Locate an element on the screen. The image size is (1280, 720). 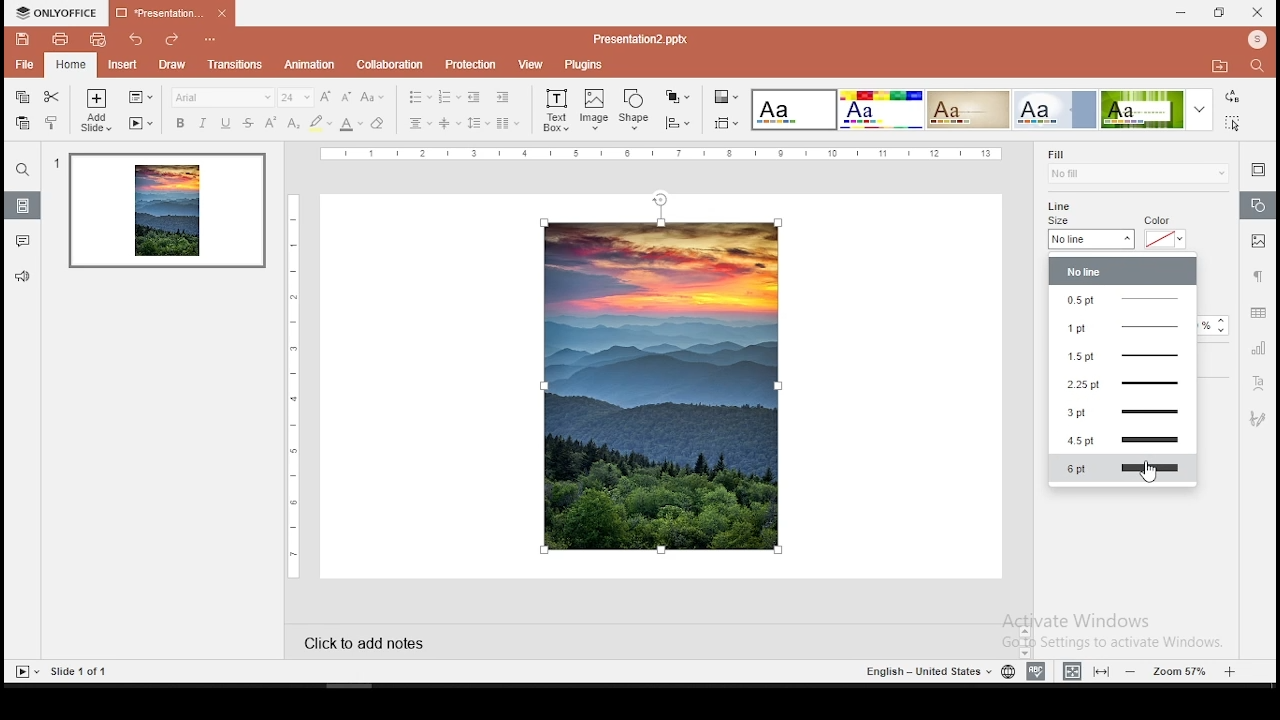
configure quick action toolbar is located at coordinates (208, 41).